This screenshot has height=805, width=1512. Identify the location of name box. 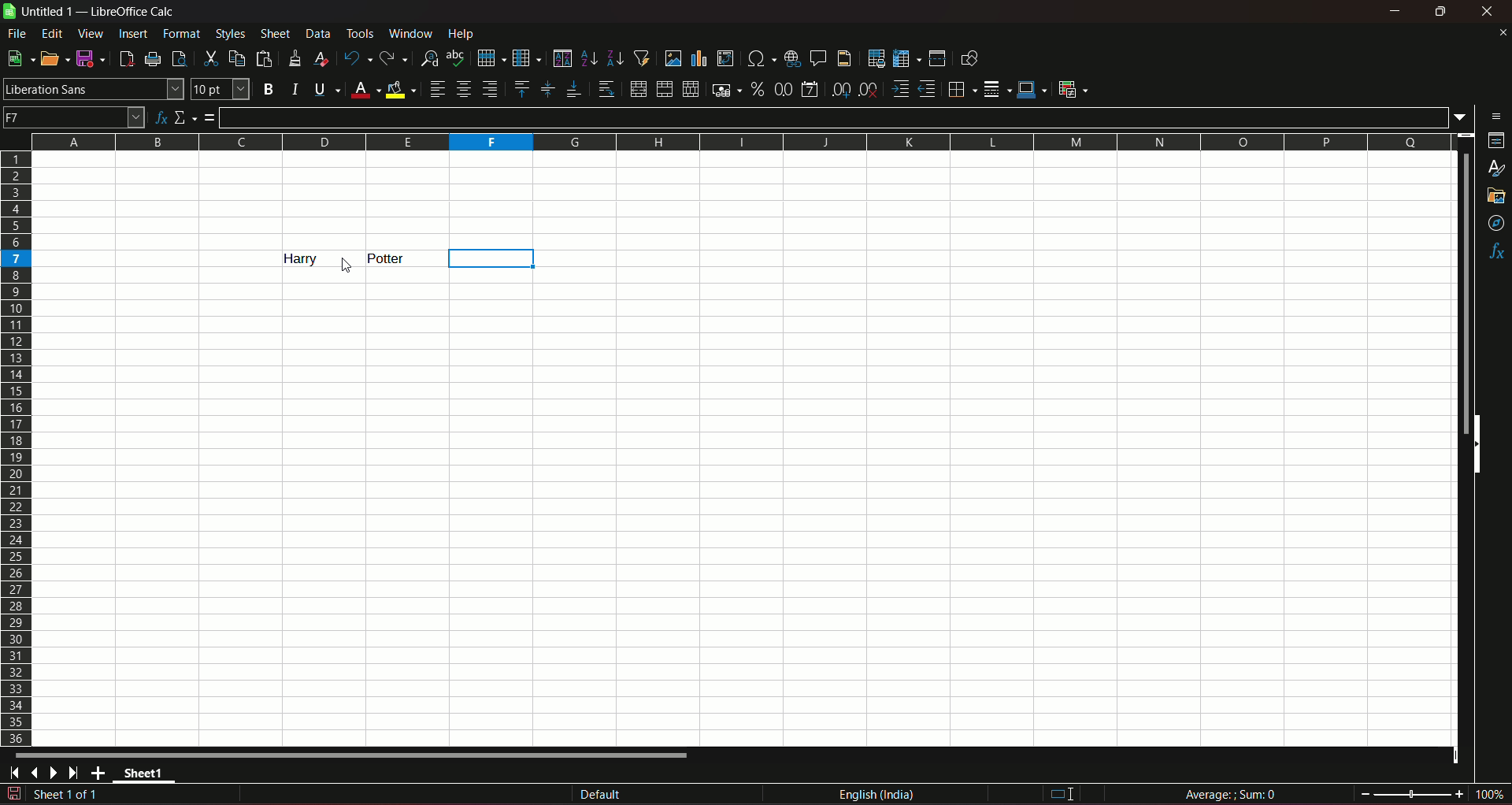
(74, 116).